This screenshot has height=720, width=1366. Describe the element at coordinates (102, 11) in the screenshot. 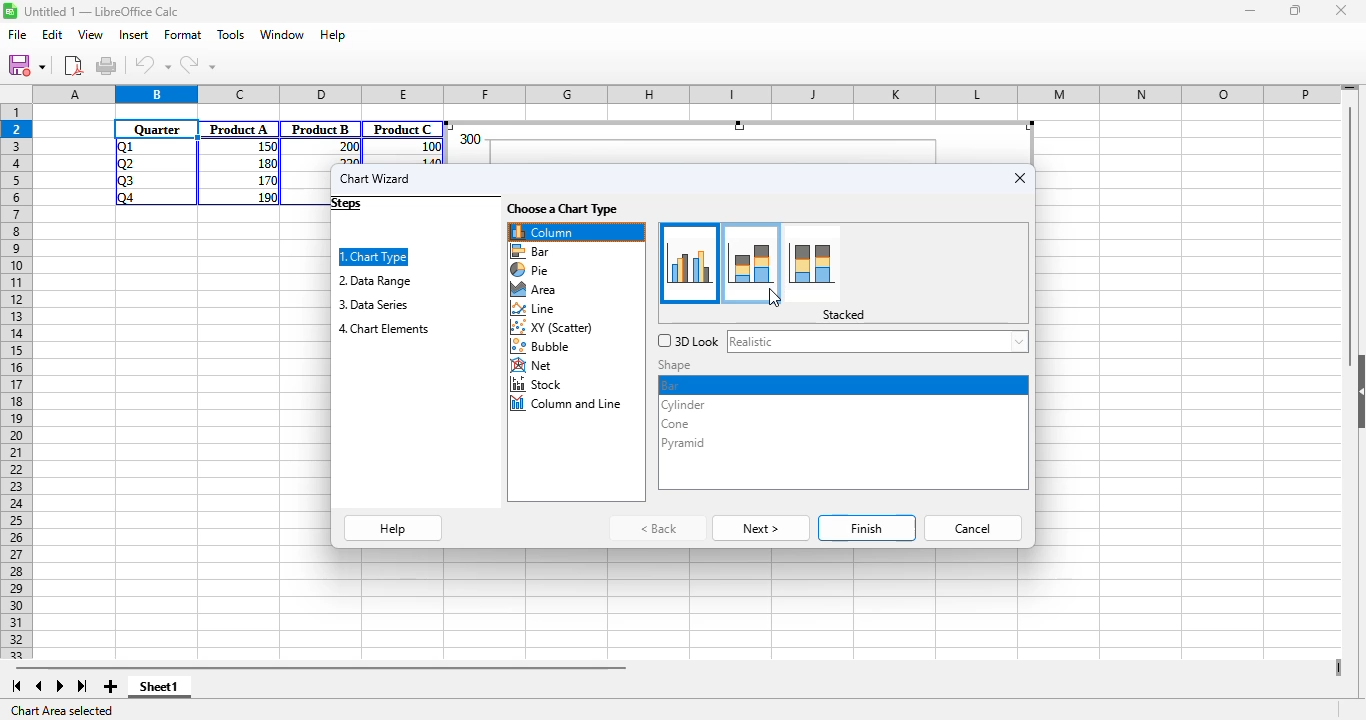

I see `Untitled 1 — LibreOffice Calc` at that location.